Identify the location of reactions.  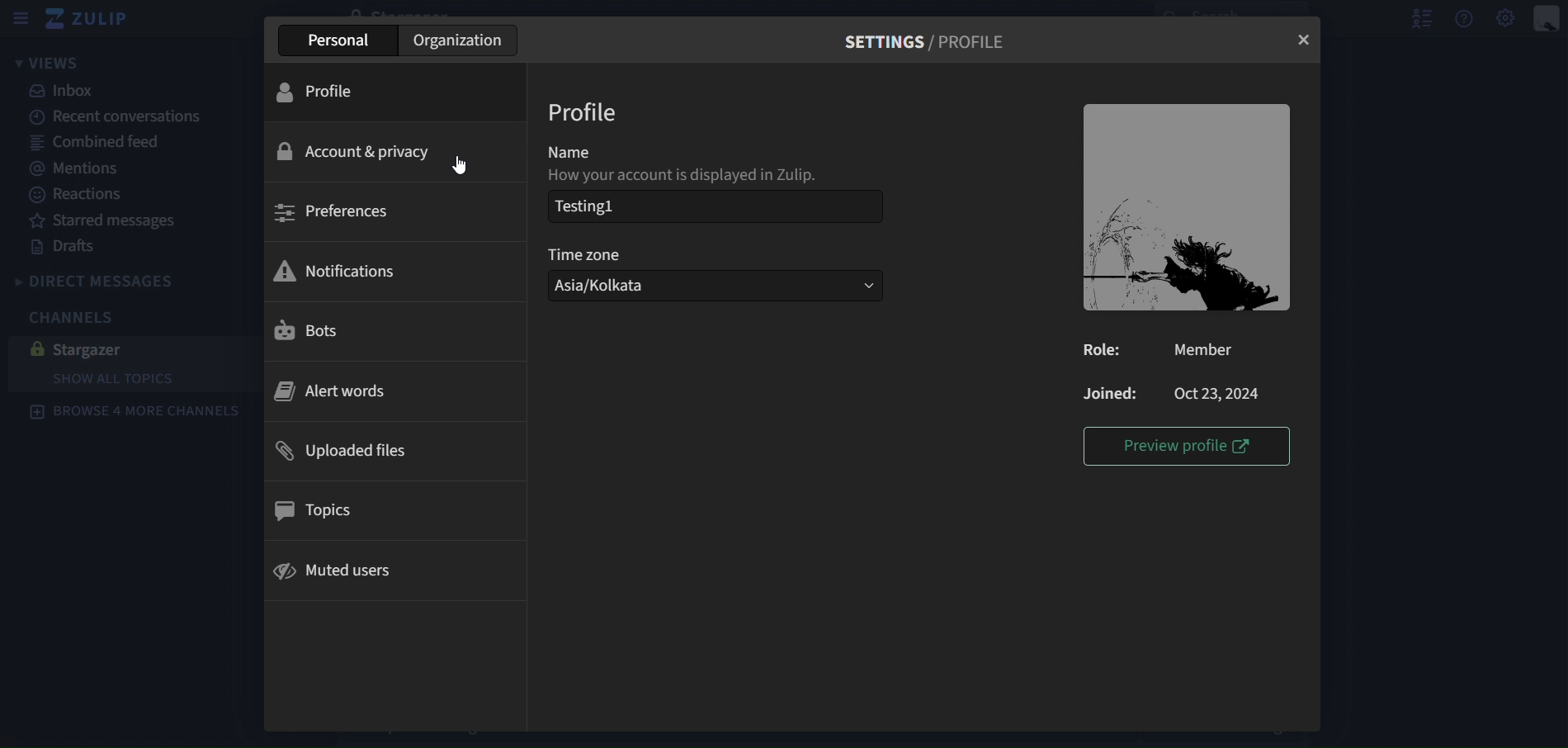
(77, 196).